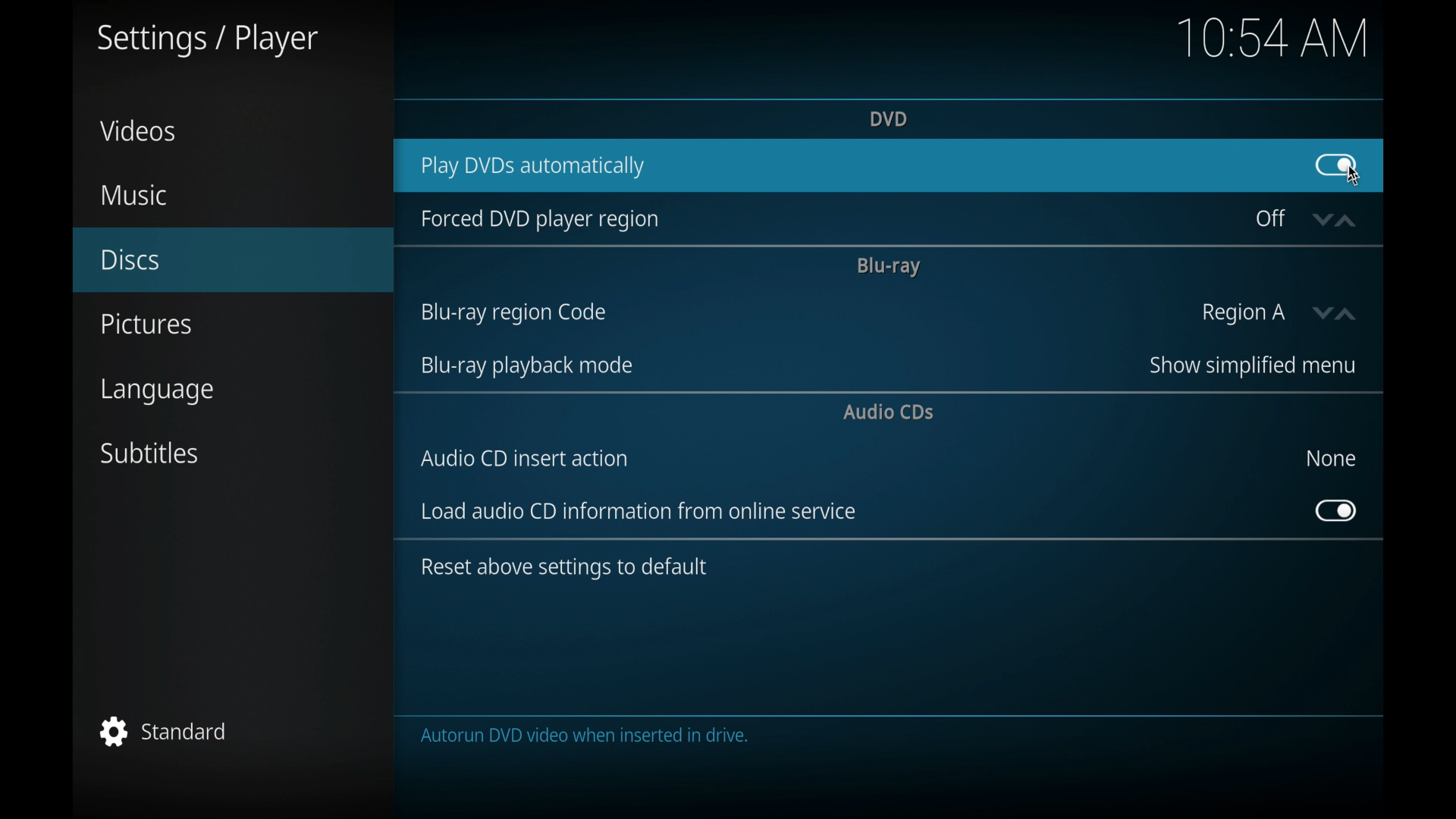 The image size is (1456, 819). I want to click on stepper buttons, so click(1333, 221).